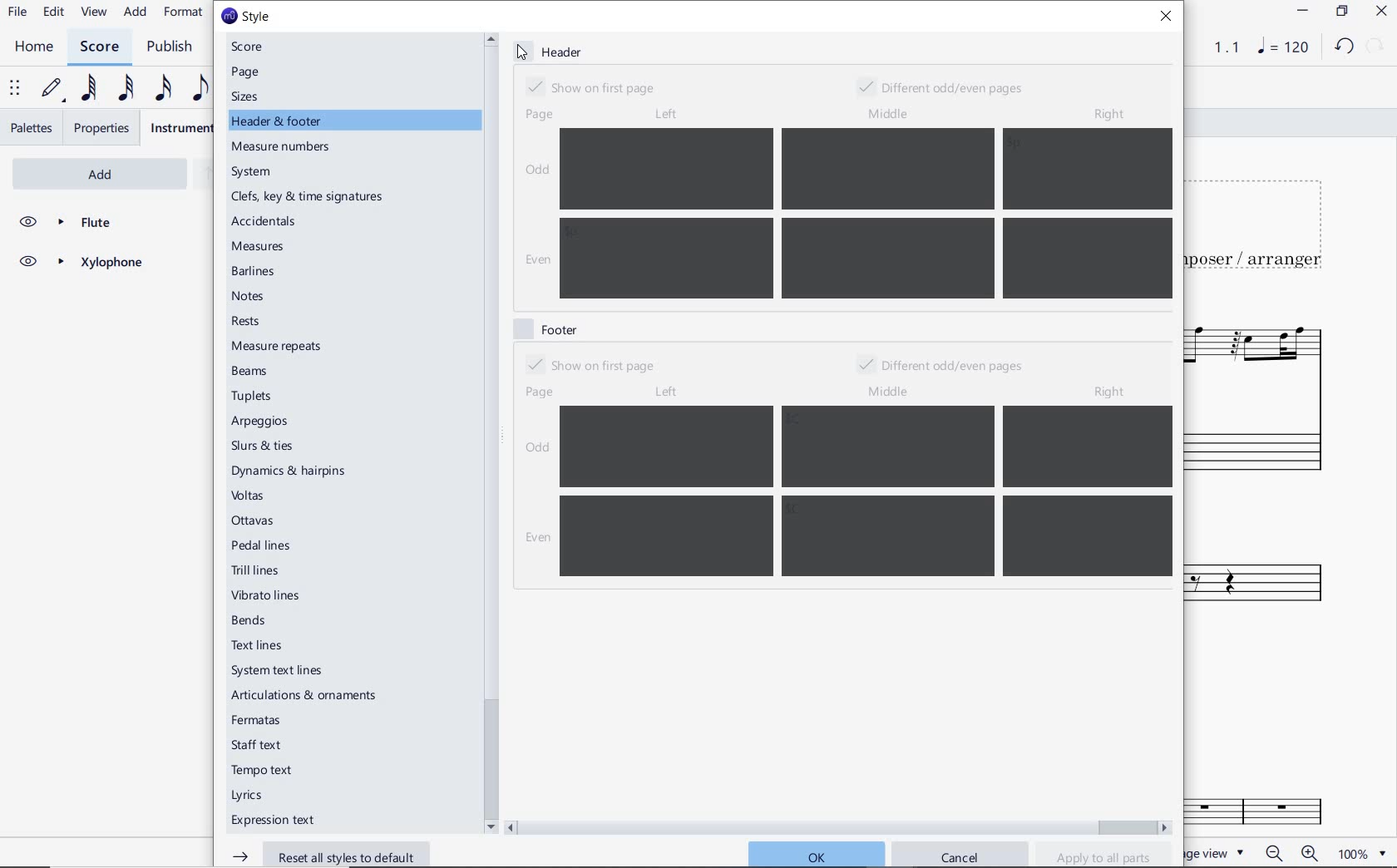 The width and height of the screenshot is (1397, 868). I want to click on even, so click(536, 262).